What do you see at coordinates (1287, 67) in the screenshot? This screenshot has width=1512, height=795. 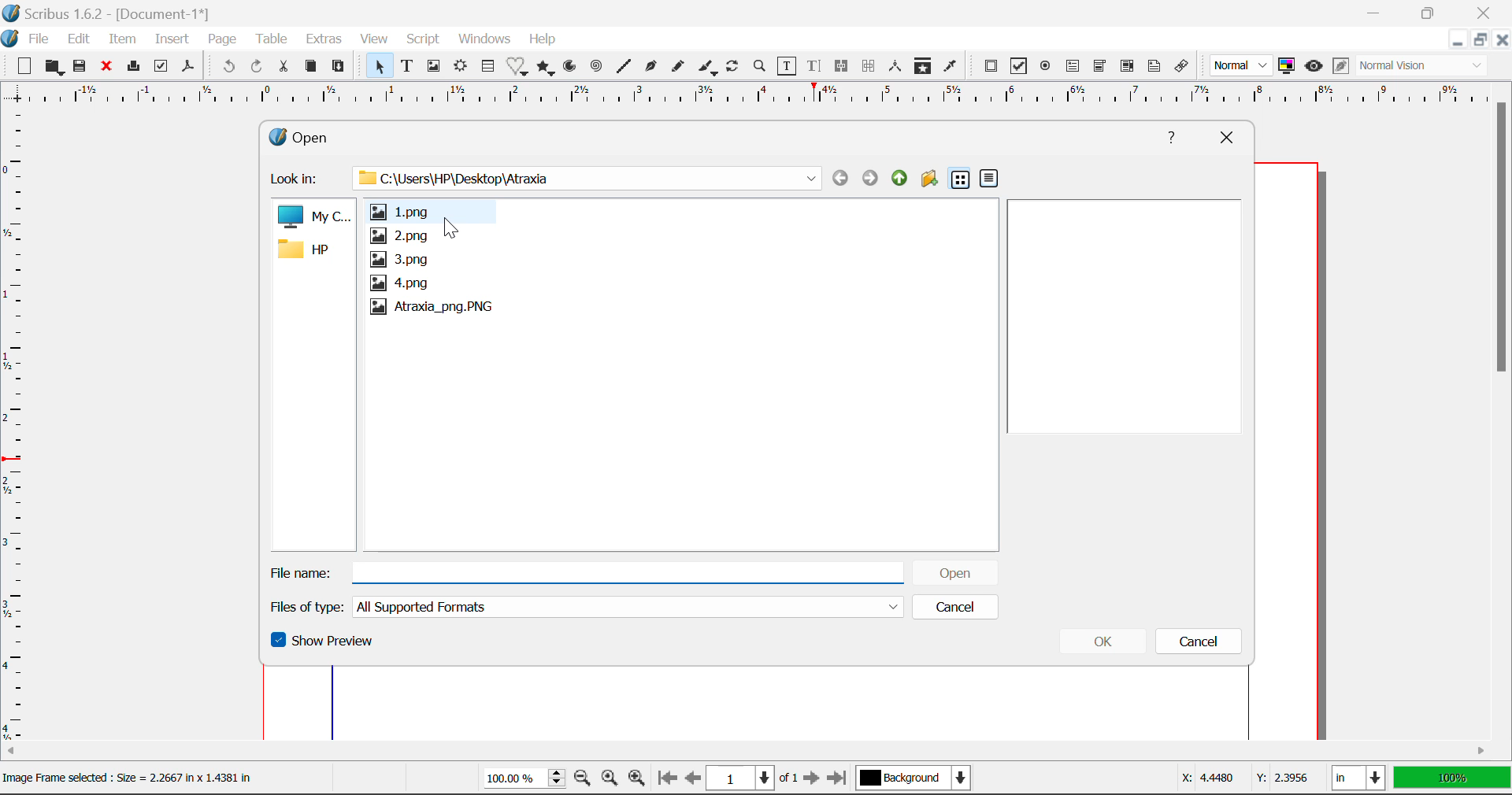 I see `Toggle color management system` at bounding box center [1287, 67].